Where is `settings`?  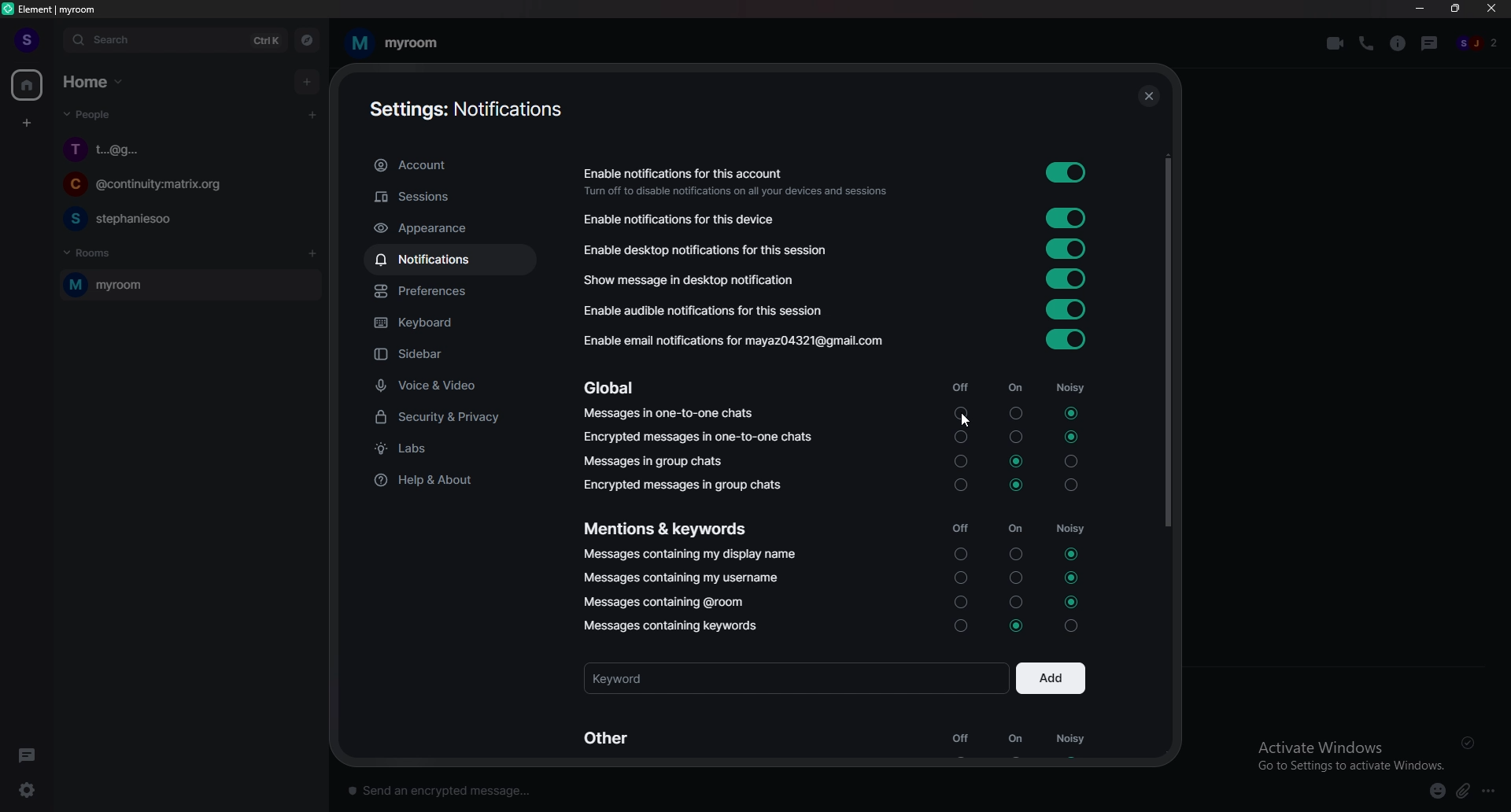 settings is located at coordinates (30, 788).